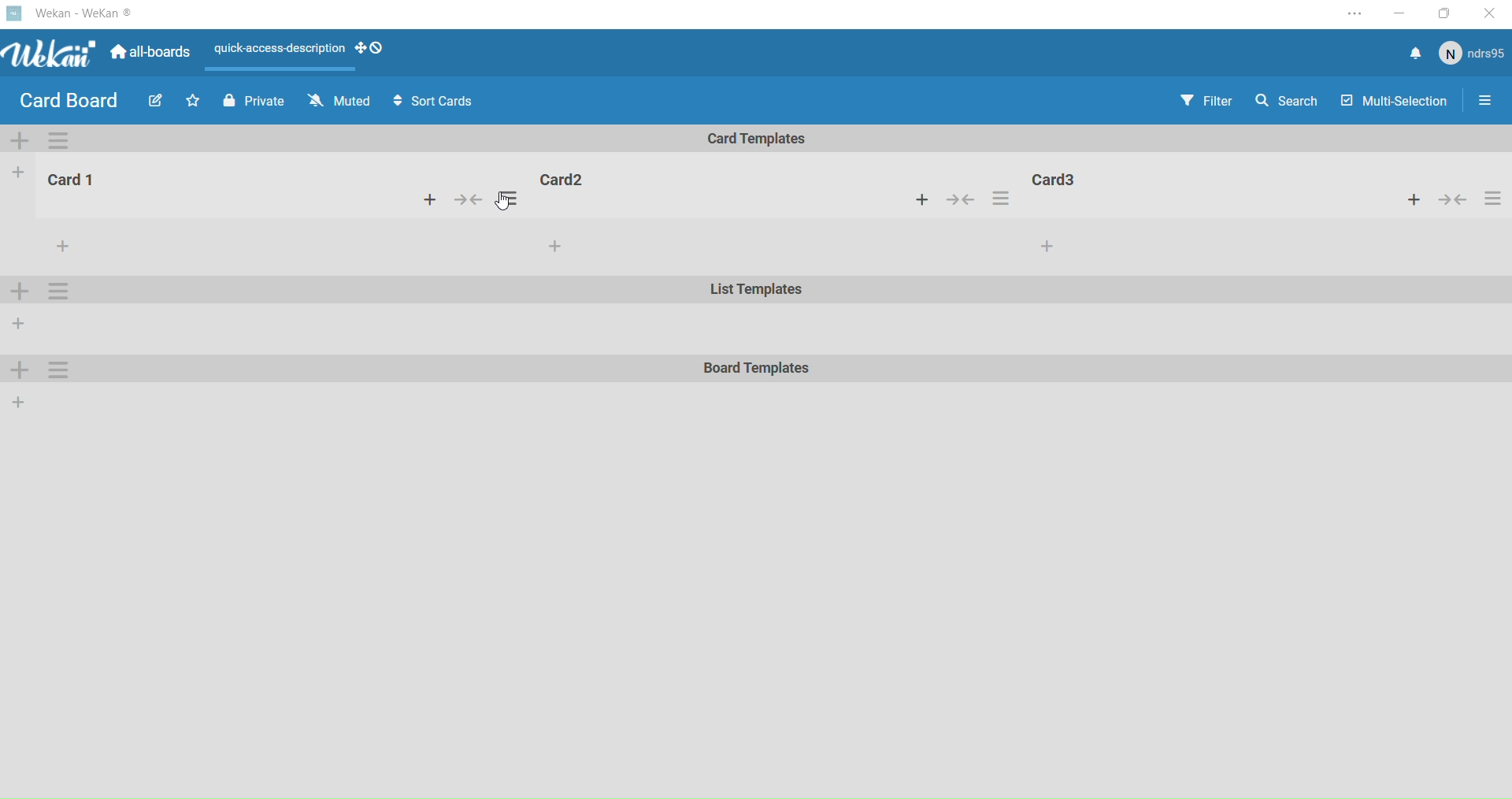 The width and height of the screenshot is (1512, 799). Describe the element at coordinates (1447, 13) in the screenshot. I see `Box` at that location.